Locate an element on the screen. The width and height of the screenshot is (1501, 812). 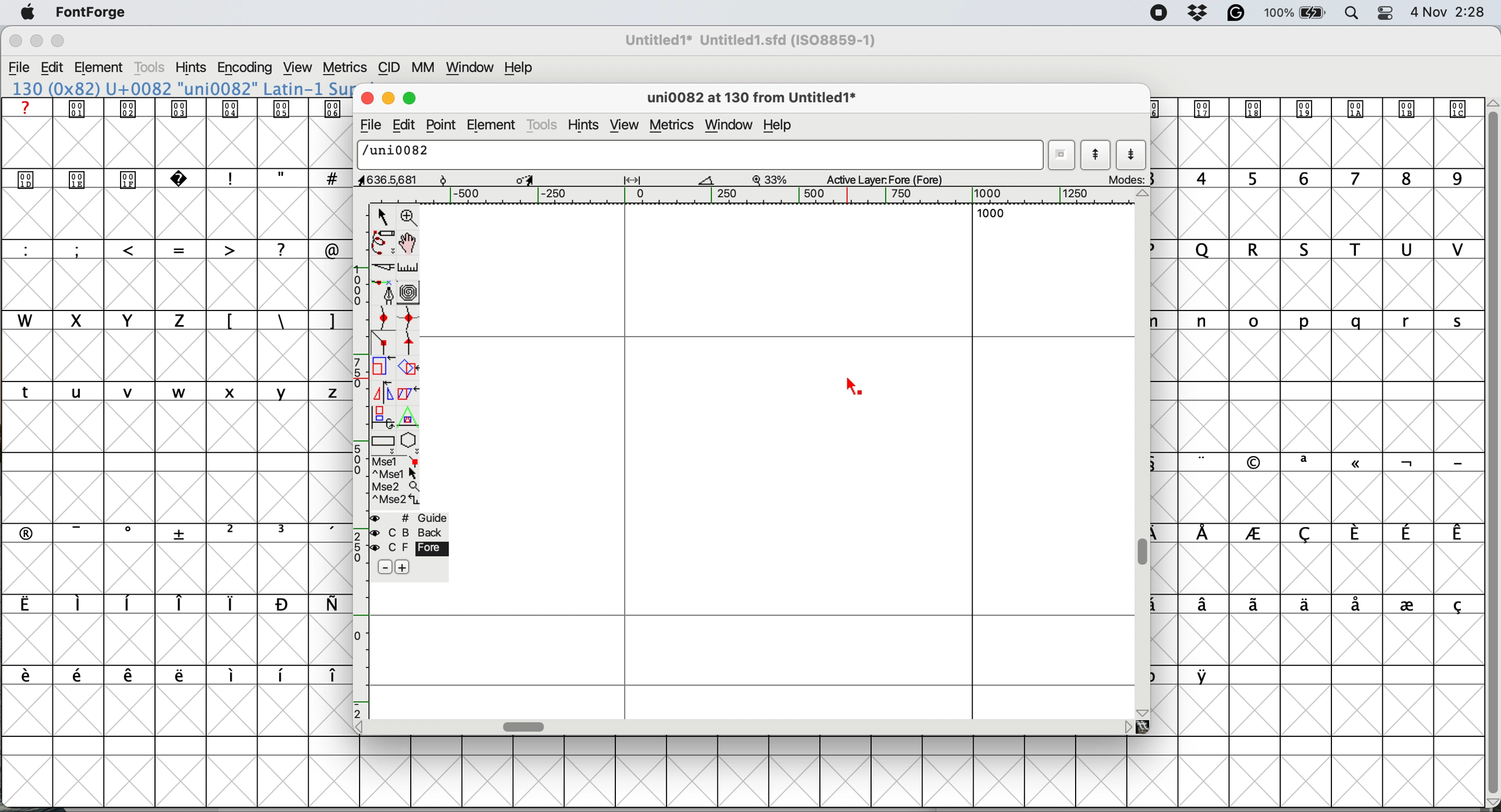
help is located at coordinates (781, 127).